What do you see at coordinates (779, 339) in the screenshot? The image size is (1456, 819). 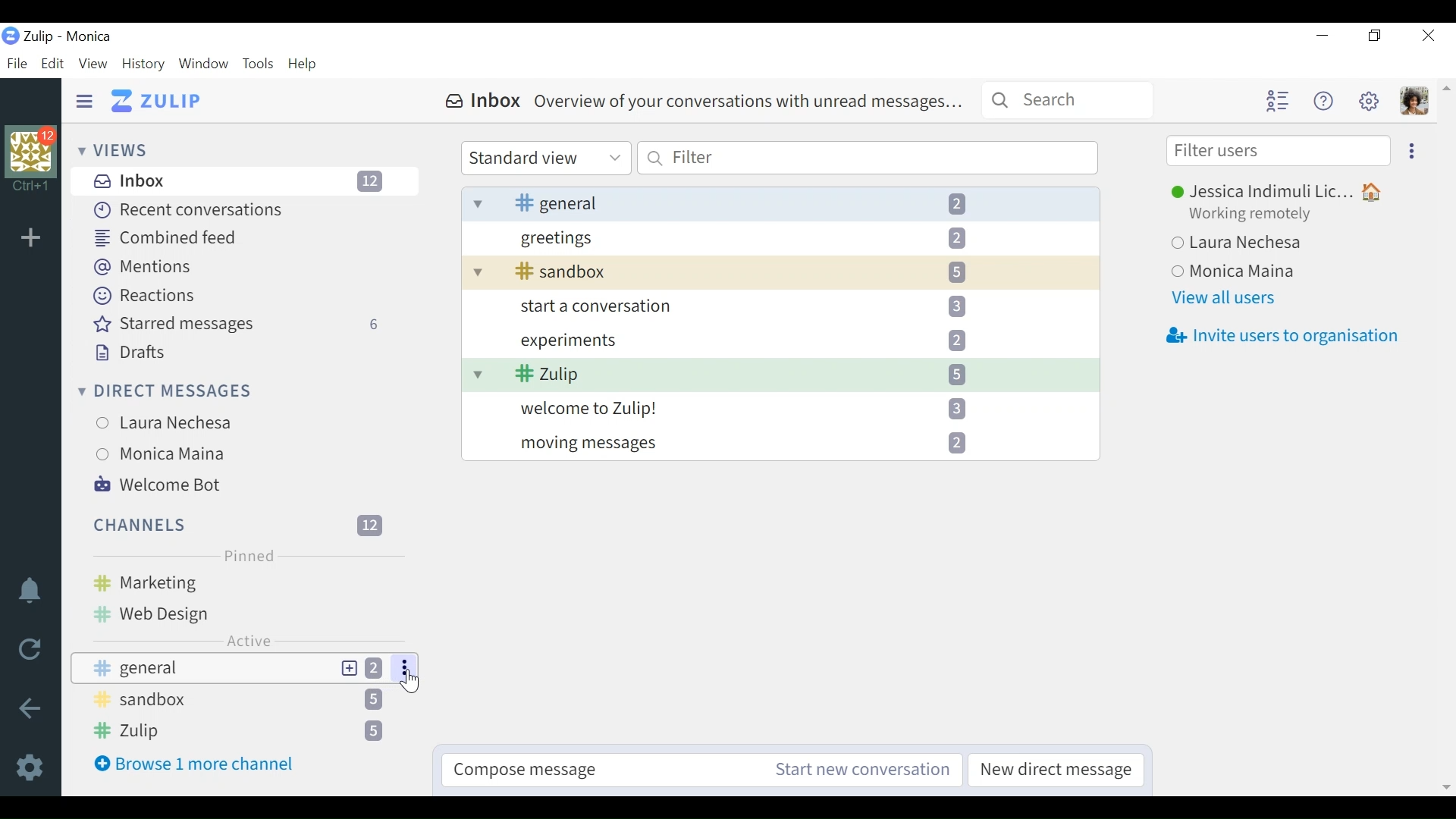 I see `experiments 2` at bounding box center [779, 339].